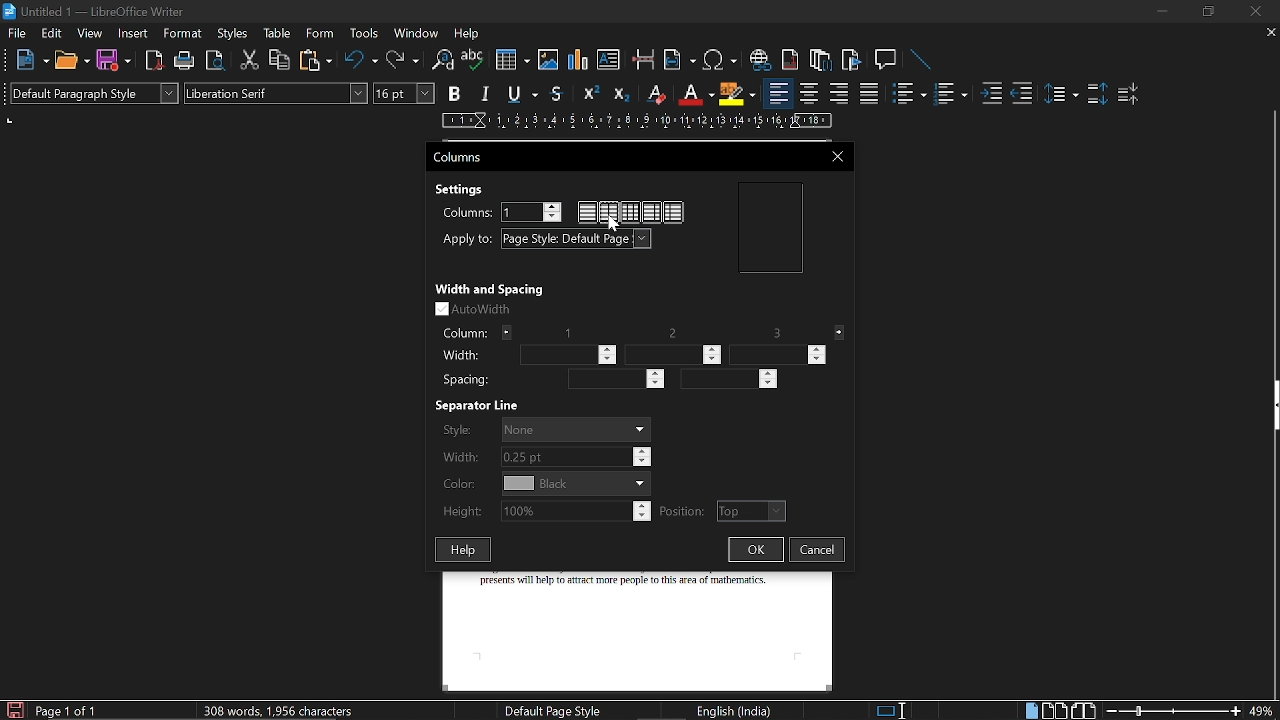 This screenshot has height=720, width=1280. Describe the element at coordinates (468, 240) in the screenshot. I see `Apply to` at that location.